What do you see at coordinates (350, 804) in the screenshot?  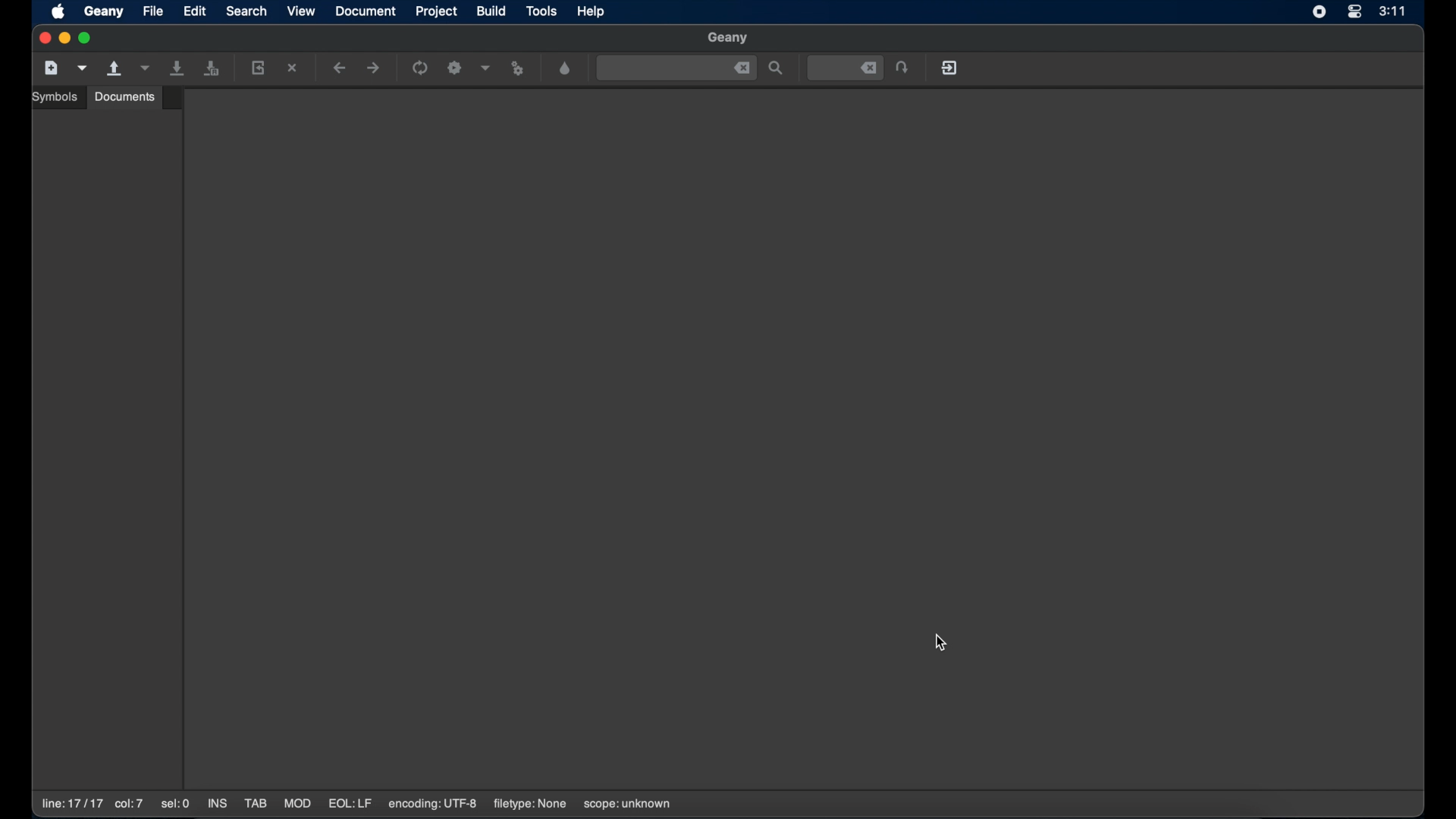 I see `EQL:LF` at bounding box center [350, 804].